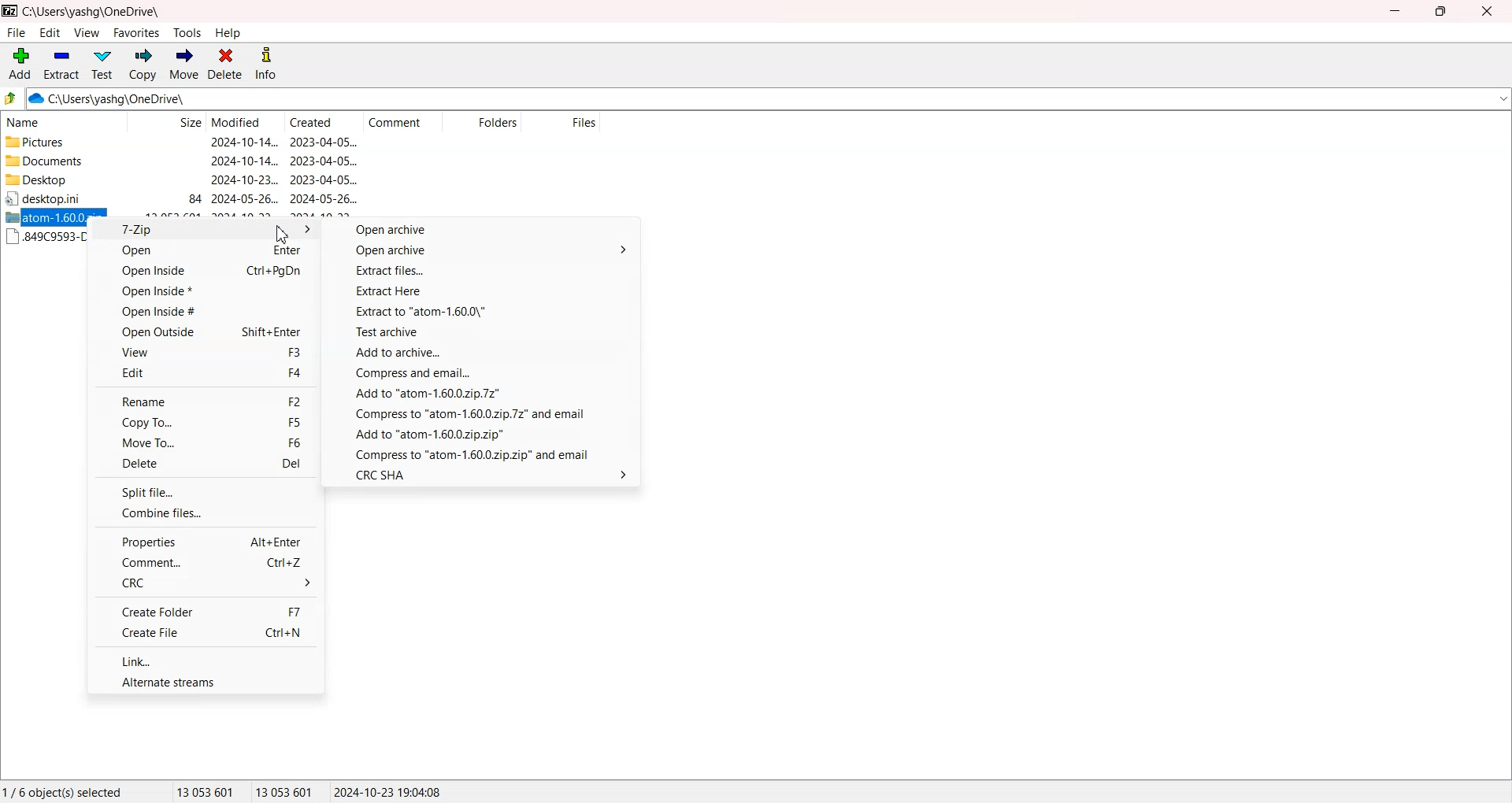 The image size is (1512, 803). I want to click on Atom Zip File, so click(46, 217).